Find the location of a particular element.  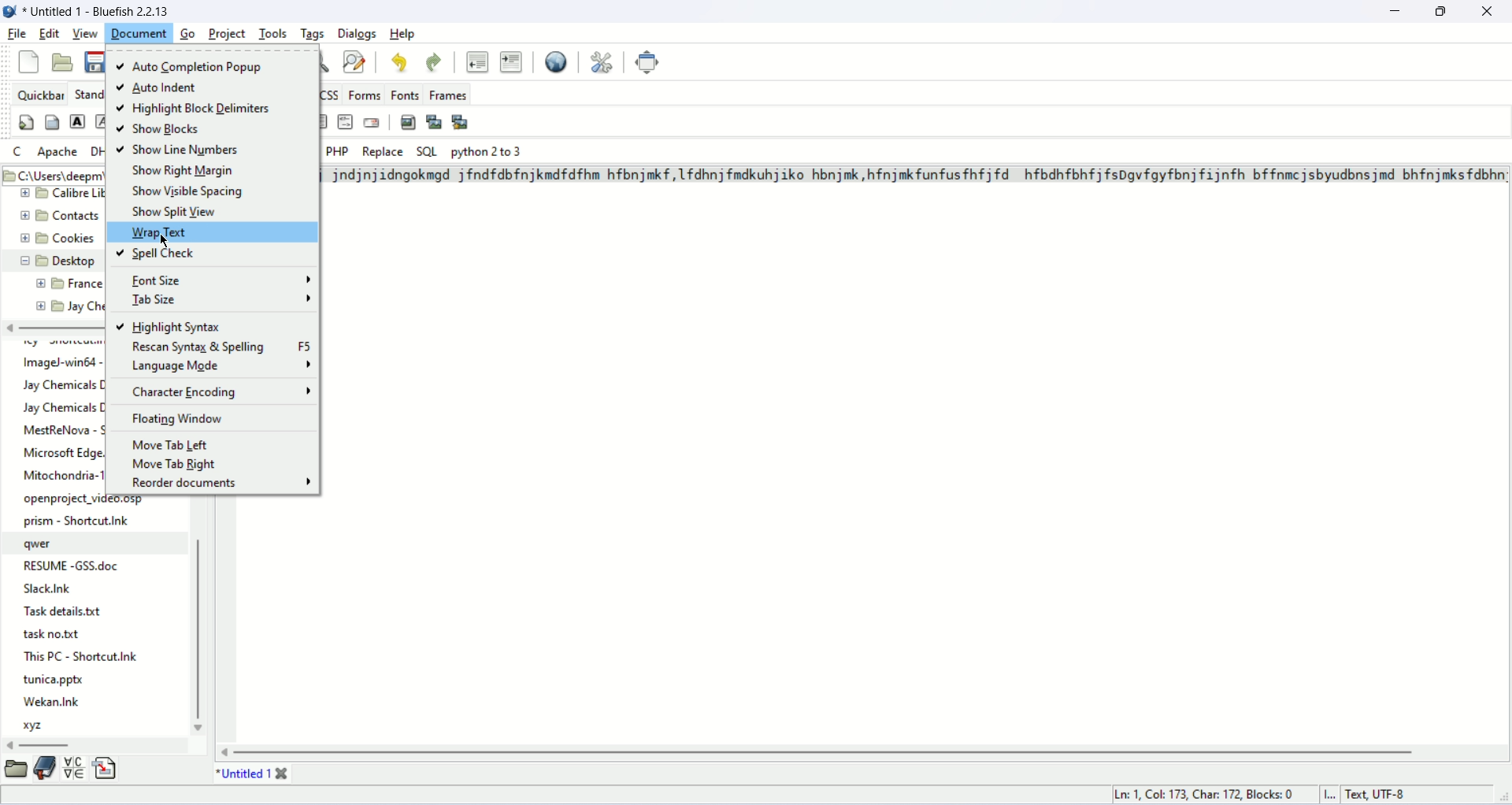

quickbar is located at coordinates (41, 94).